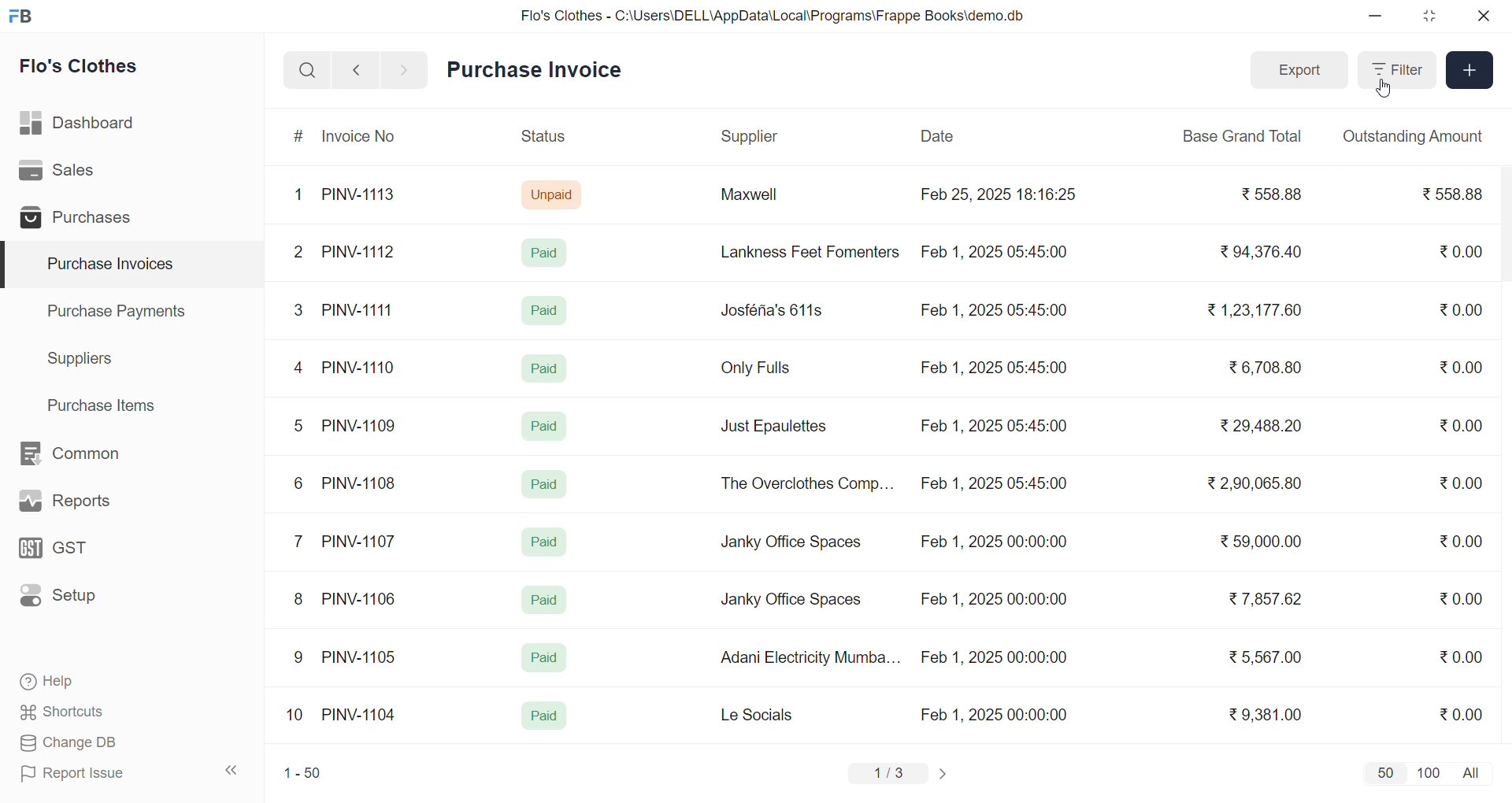 Image resolution: width=1512 pixels, height=803 pixels. Describe the element at coordinates (996, 714) in the screenshot. I see `Feb 1, 2025 00:00:00` at that location.